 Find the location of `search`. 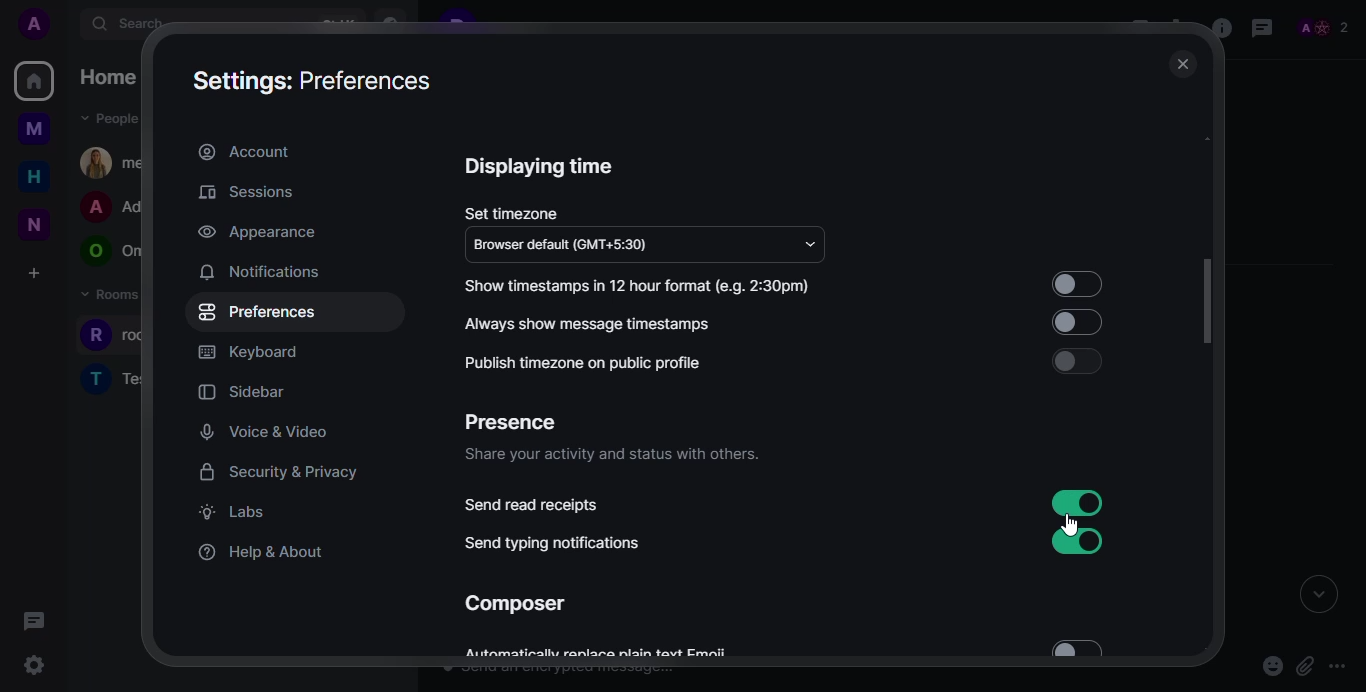

search is located at coordinates (136, 25).